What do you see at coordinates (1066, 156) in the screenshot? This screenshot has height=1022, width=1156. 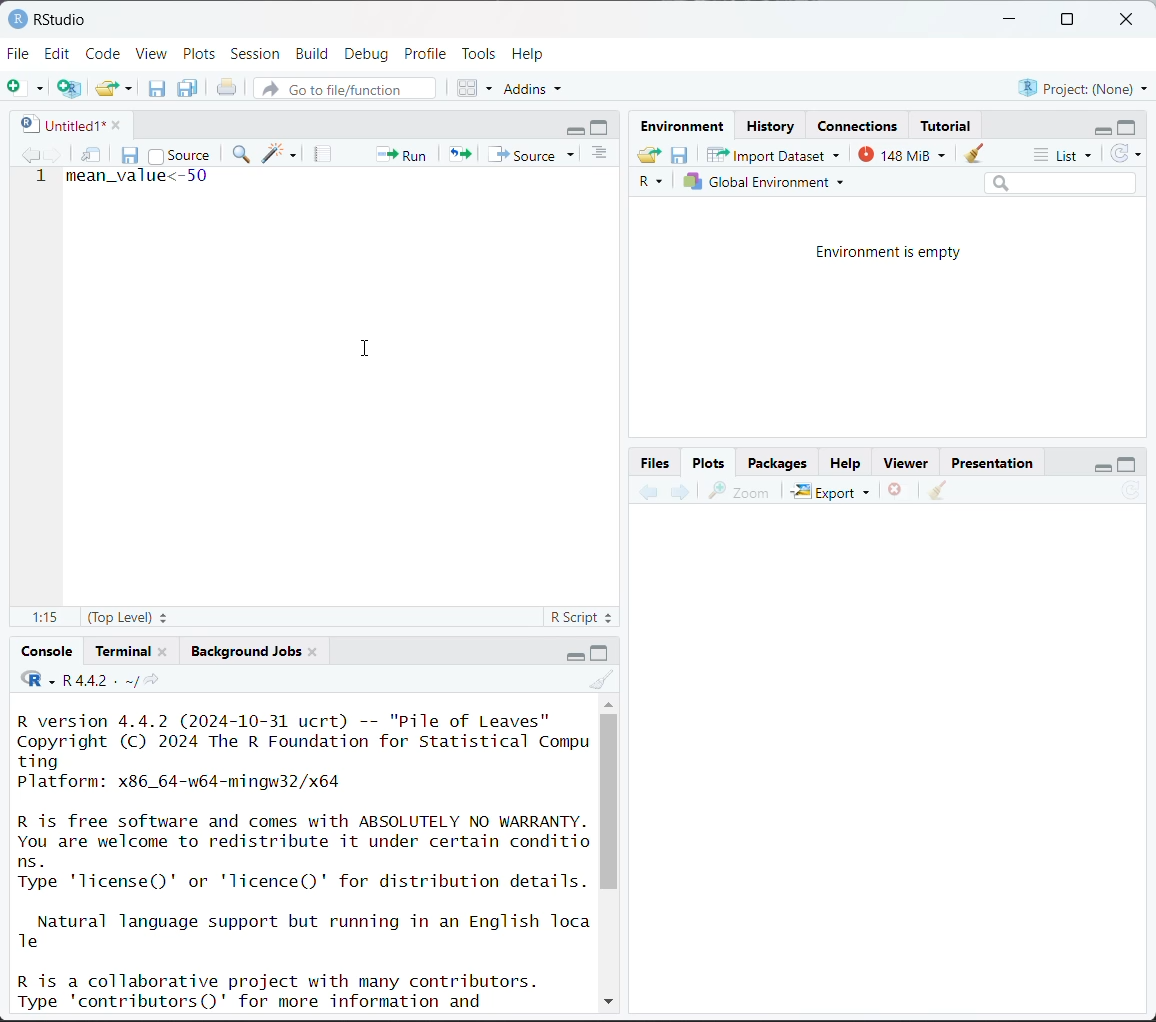 I see `list` at bounding box center [1066, 156].